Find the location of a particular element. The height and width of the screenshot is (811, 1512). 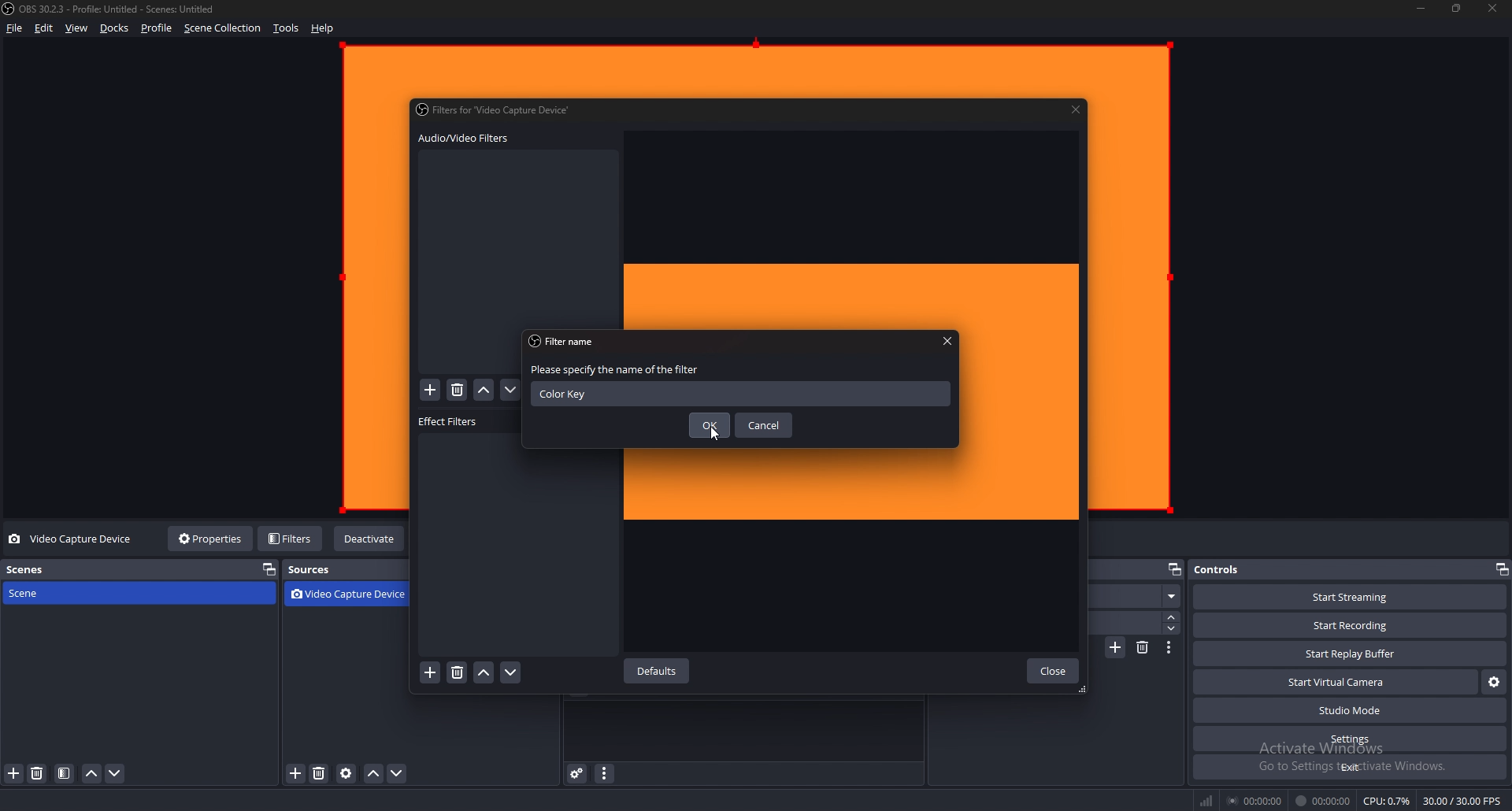

cursor is located at coordinates (714, 435).